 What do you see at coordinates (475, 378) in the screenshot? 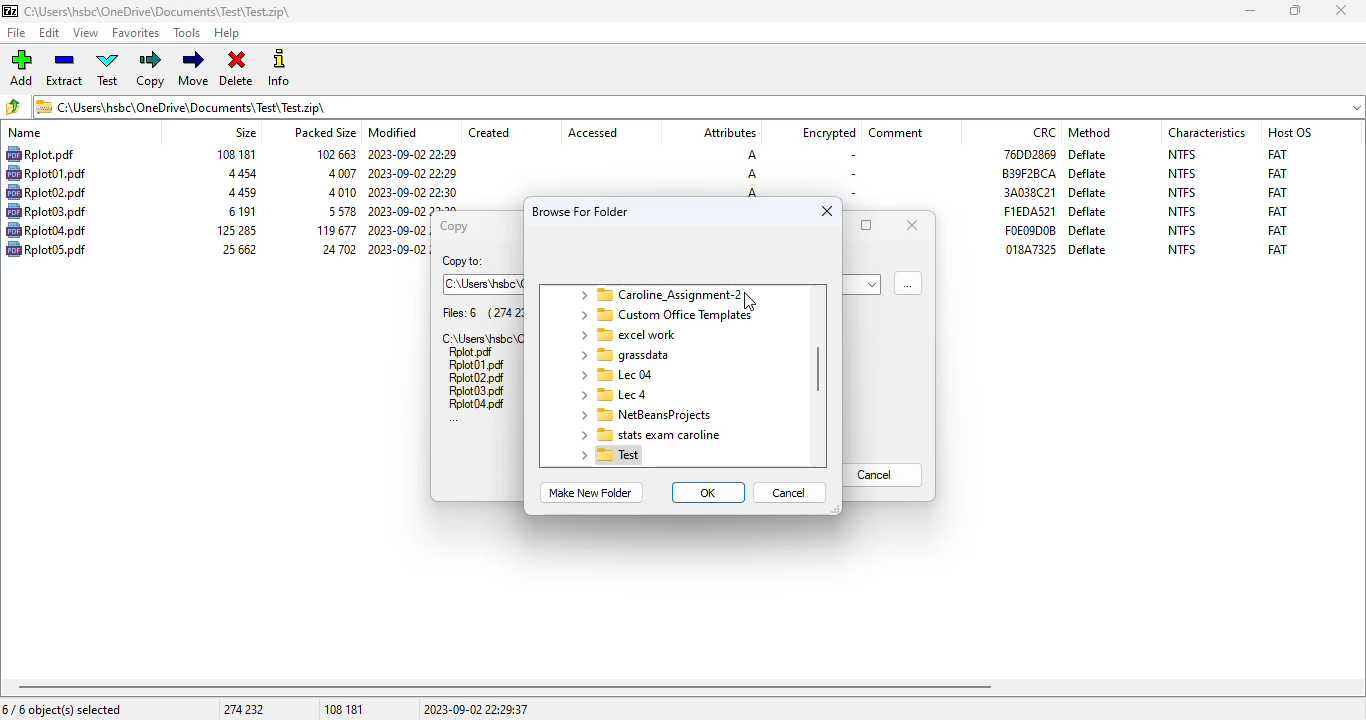
I see `file` at bounding box center [475, 378].